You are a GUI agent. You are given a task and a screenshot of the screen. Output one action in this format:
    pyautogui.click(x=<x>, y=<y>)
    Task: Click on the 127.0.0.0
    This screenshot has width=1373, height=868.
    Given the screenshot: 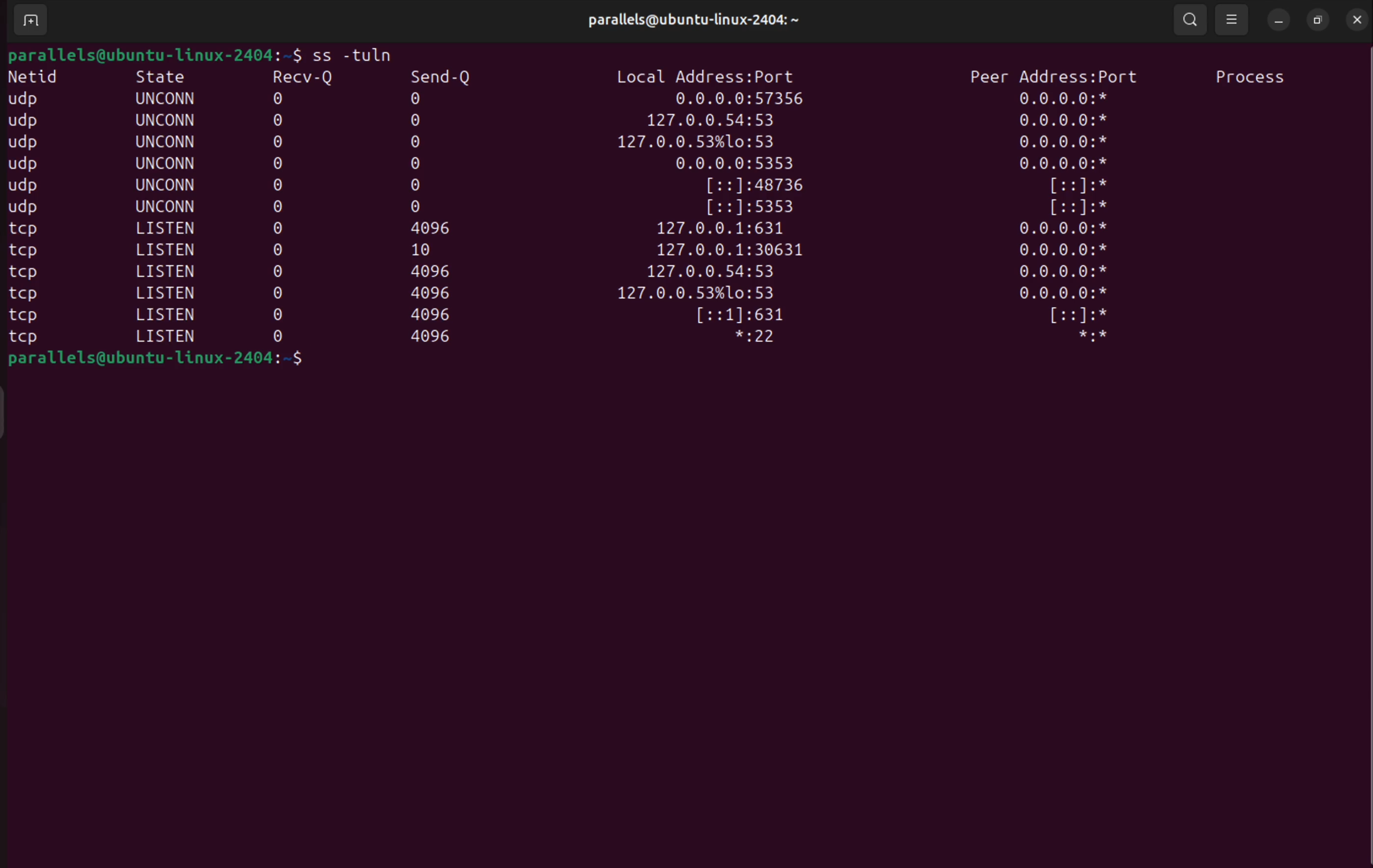 What is the action you would take?
    pyautogui.click(x=698, y=294)
    